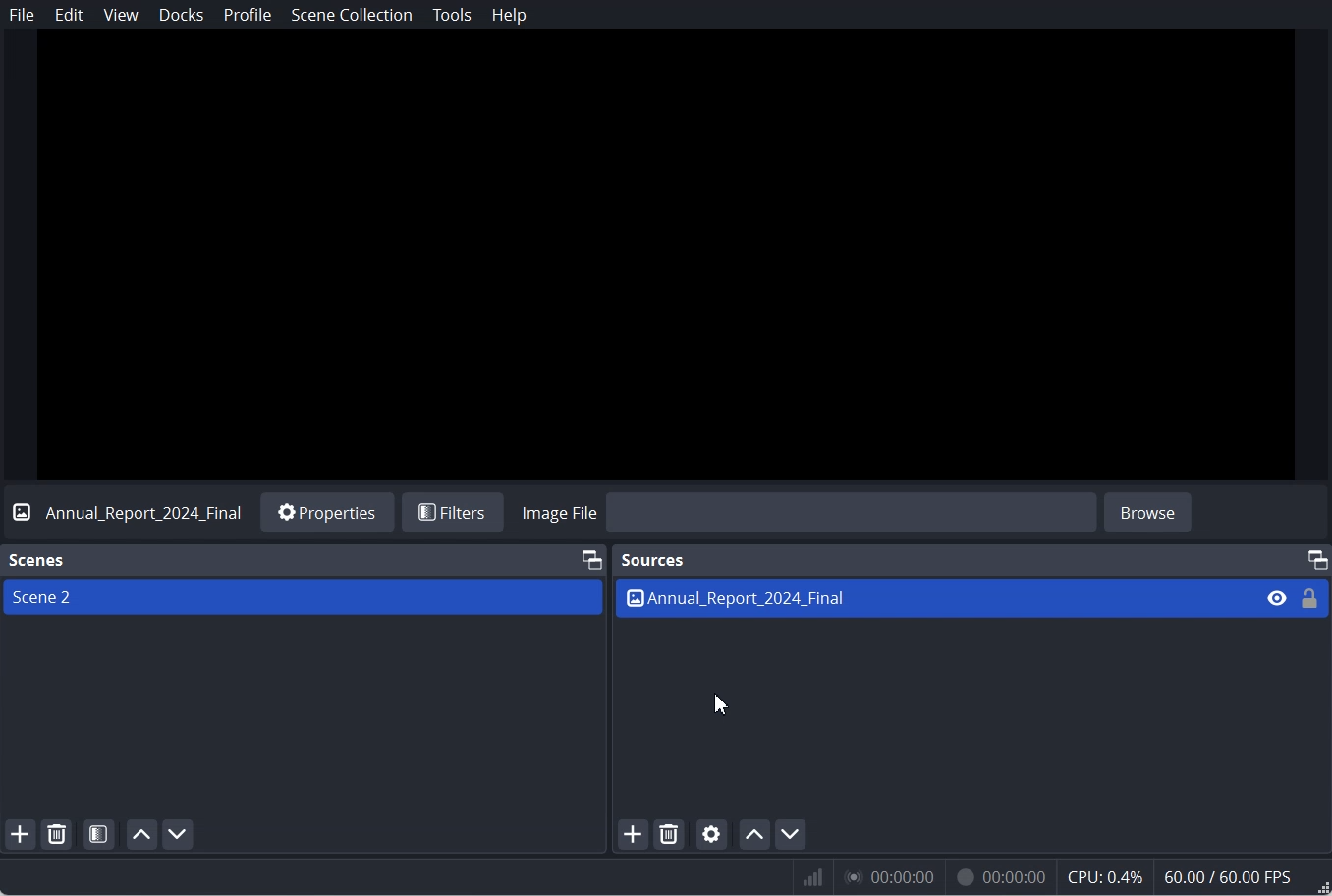 The width and height of the screenshot is (1332, 896). I want to click on View, so click(121, 15).